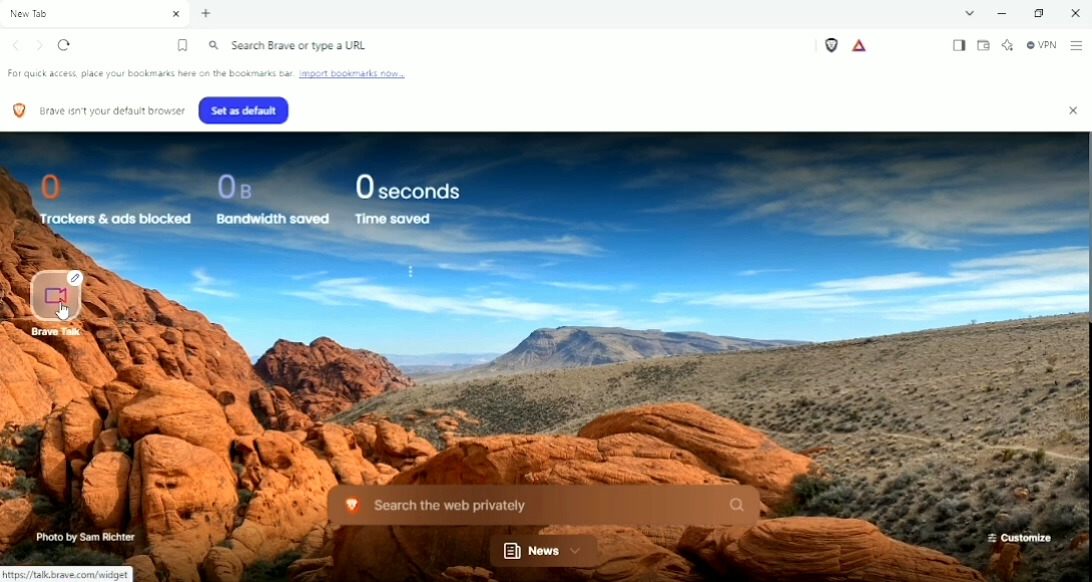 The image size is (1092, 582). Describe the element at coordinates (1045, 14) in the screenshot. I see `Restore` at that location.